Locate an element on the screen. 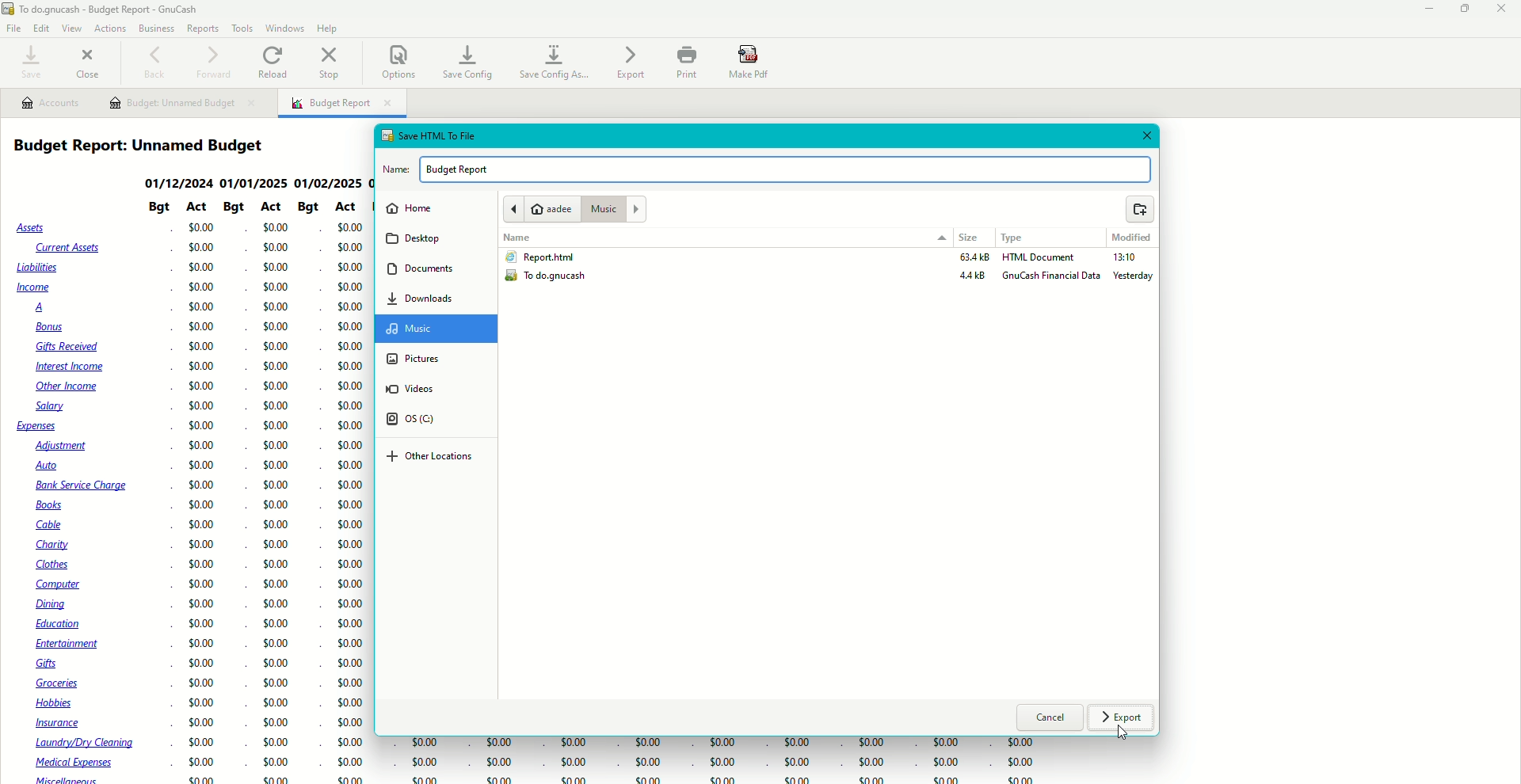 Image resolution: width=1521 pixels, height=784 pixels. Close is located at coordinates (1145, 136).